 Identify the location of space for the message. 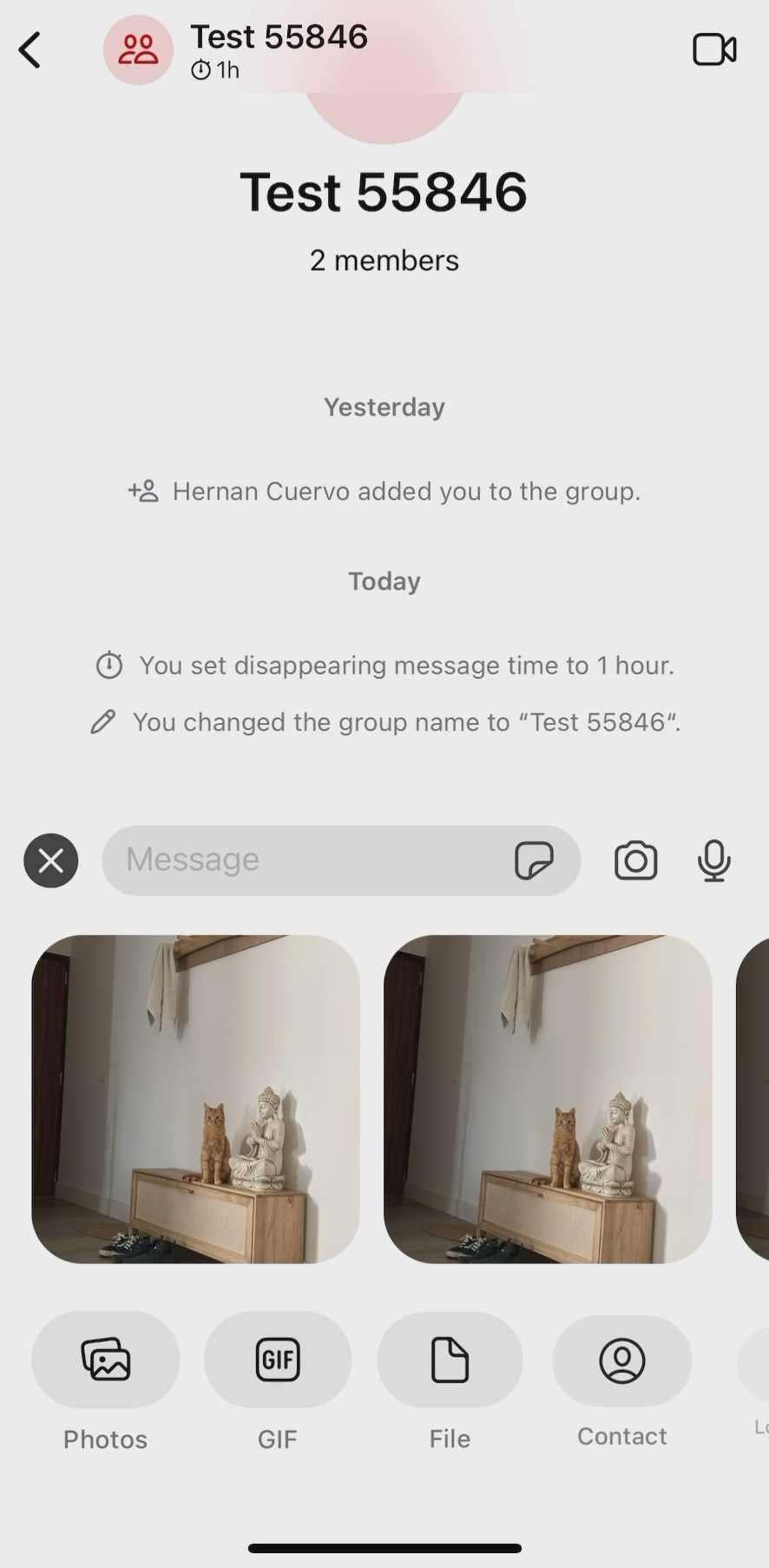
(306, 856).